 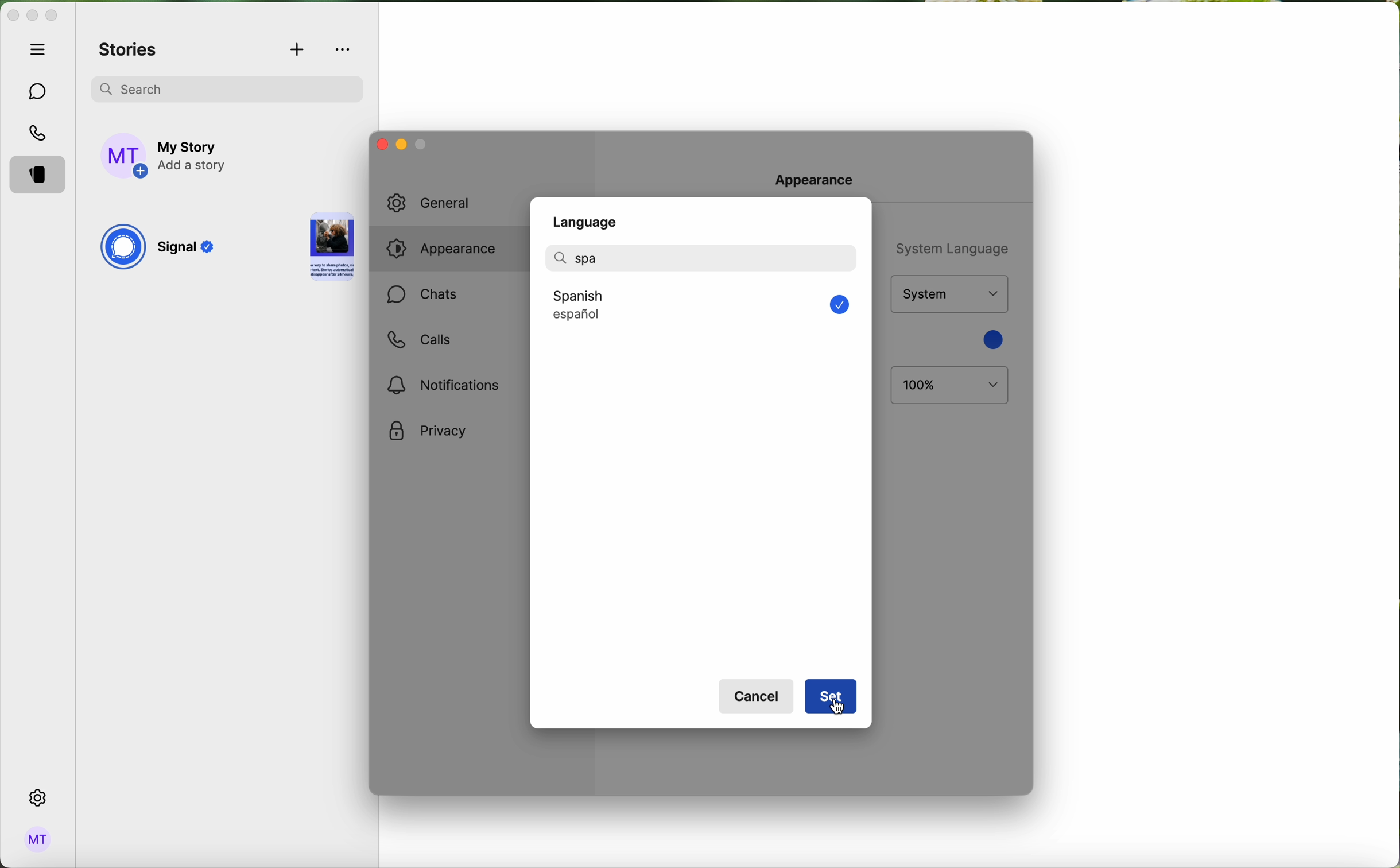 What do you see at coordinates (830, 698) in the screenshot?
I see `click on set button` at bounding box center [830, 698].